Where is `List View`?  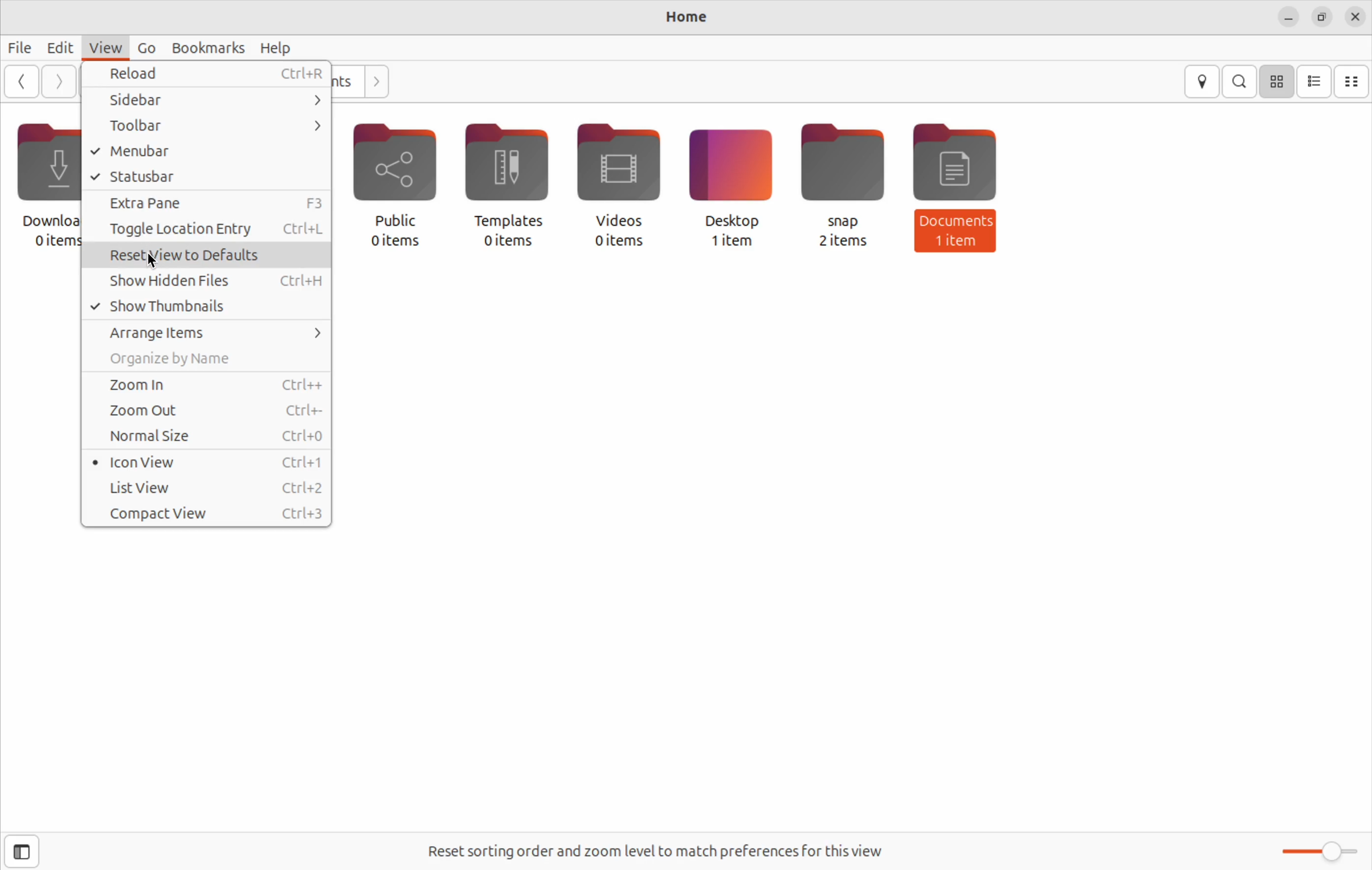 List View is located at coordinates (211, 489).